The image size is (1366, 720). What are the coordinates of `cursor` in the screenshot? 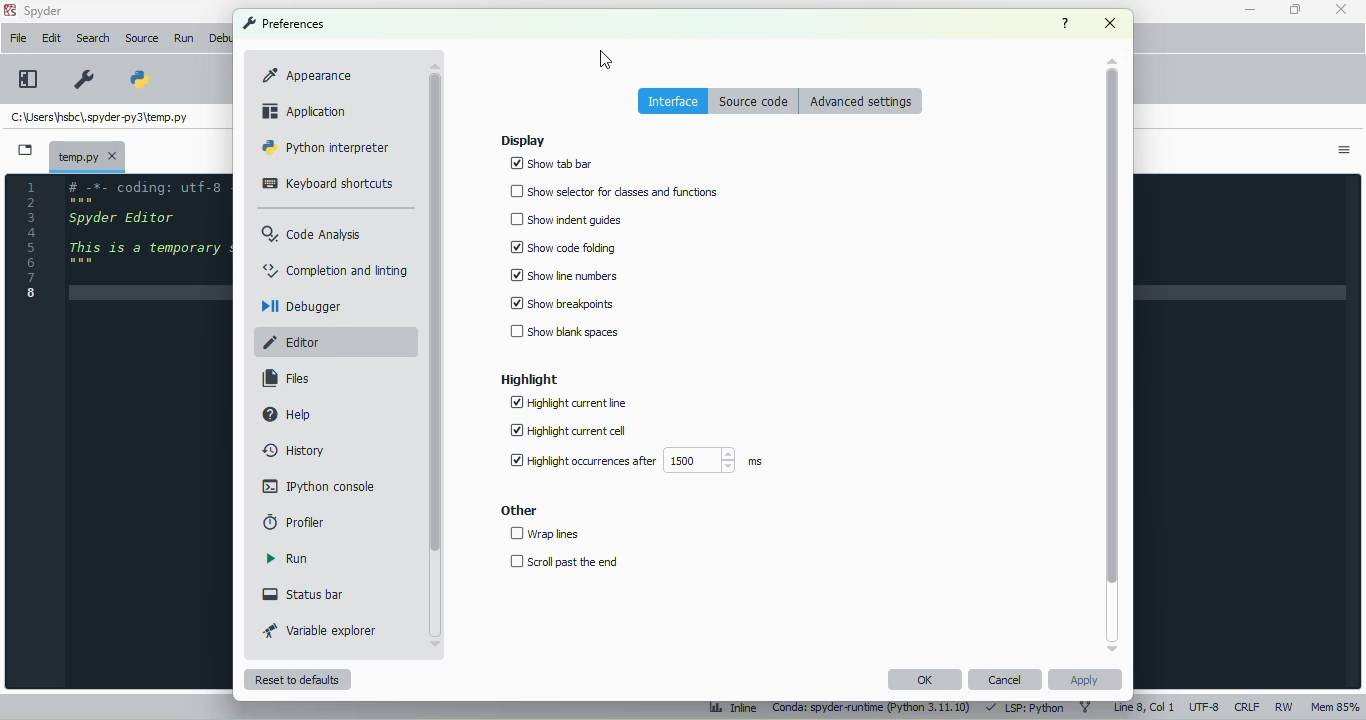 It's located at (605, 59).